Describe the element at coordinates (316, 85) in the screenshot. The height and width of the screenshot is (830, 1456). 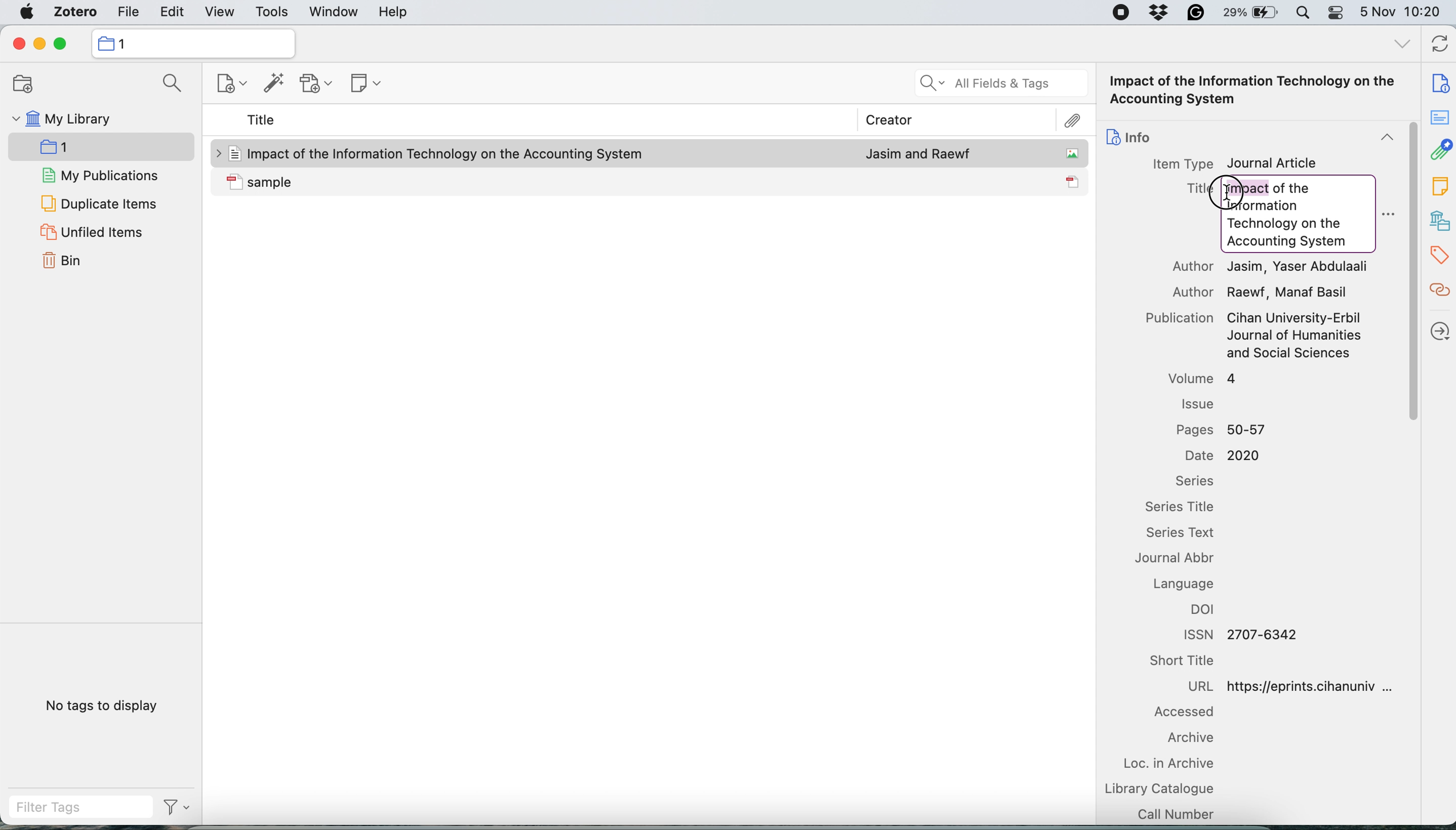
I see `new attachment` at that location.